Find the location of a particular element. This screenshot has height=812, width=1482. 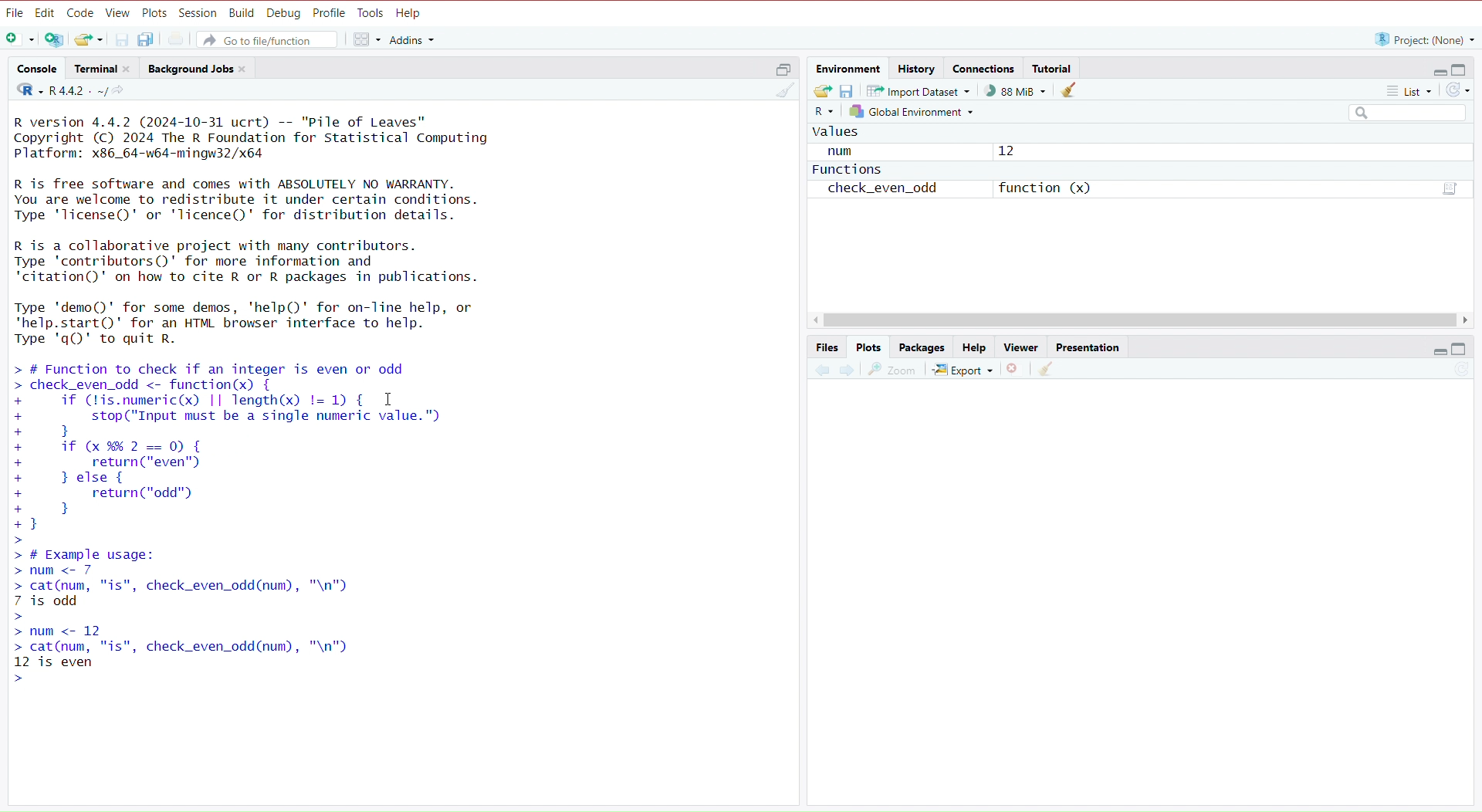

num is located at coordinates (844, 152).